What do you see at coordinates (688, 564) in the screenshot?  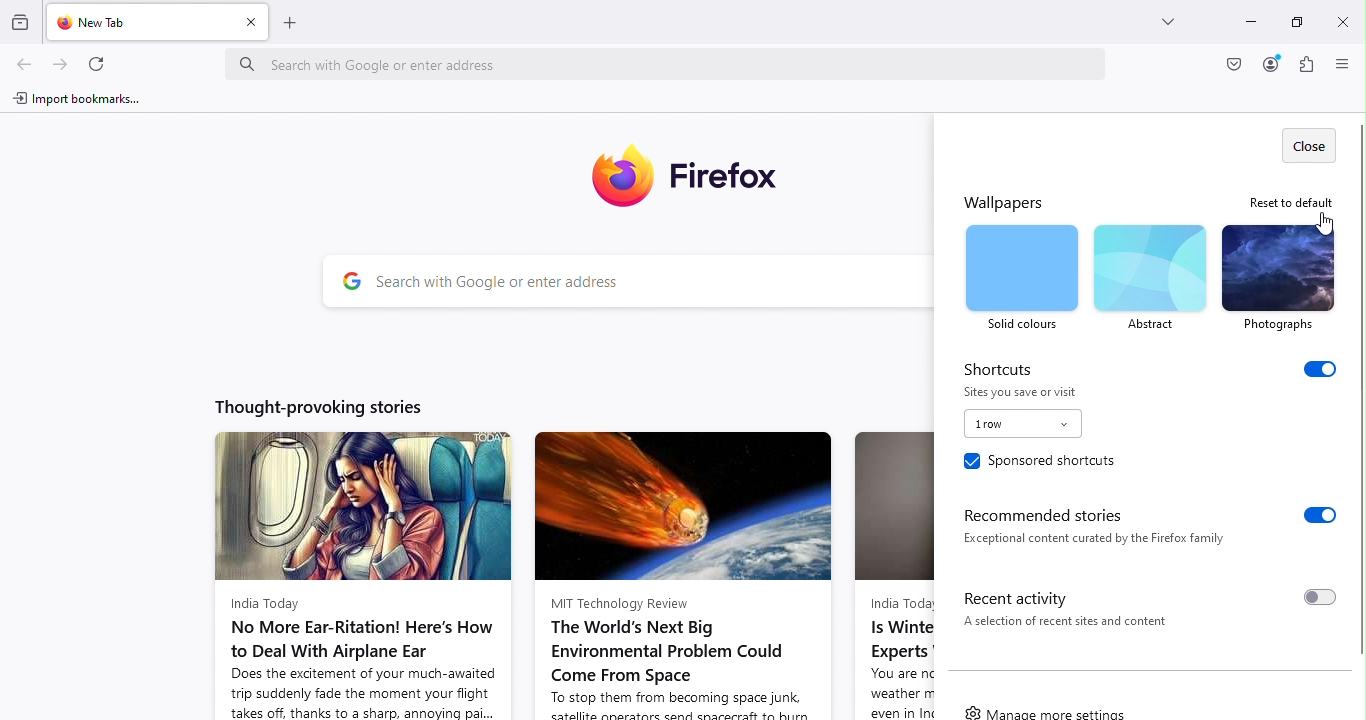 I see `New articles` at bounding box center [688, 564].